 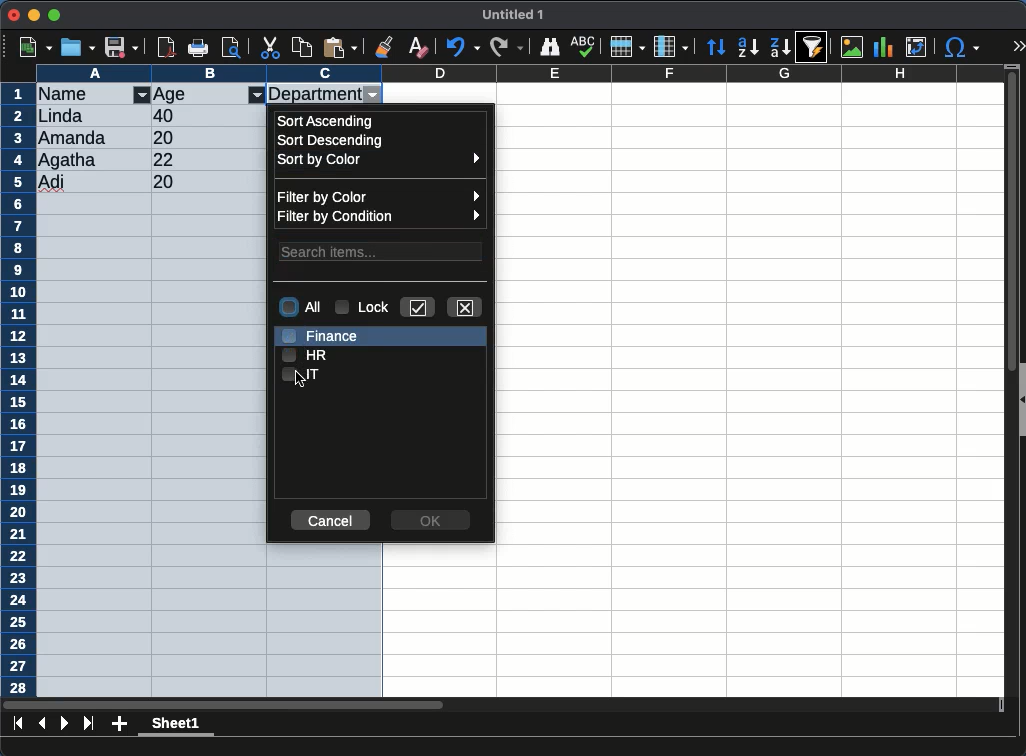 What do you see at coordinates (463, 48) in the screenshot?
I see `undo` at bounding box center [463, 48].